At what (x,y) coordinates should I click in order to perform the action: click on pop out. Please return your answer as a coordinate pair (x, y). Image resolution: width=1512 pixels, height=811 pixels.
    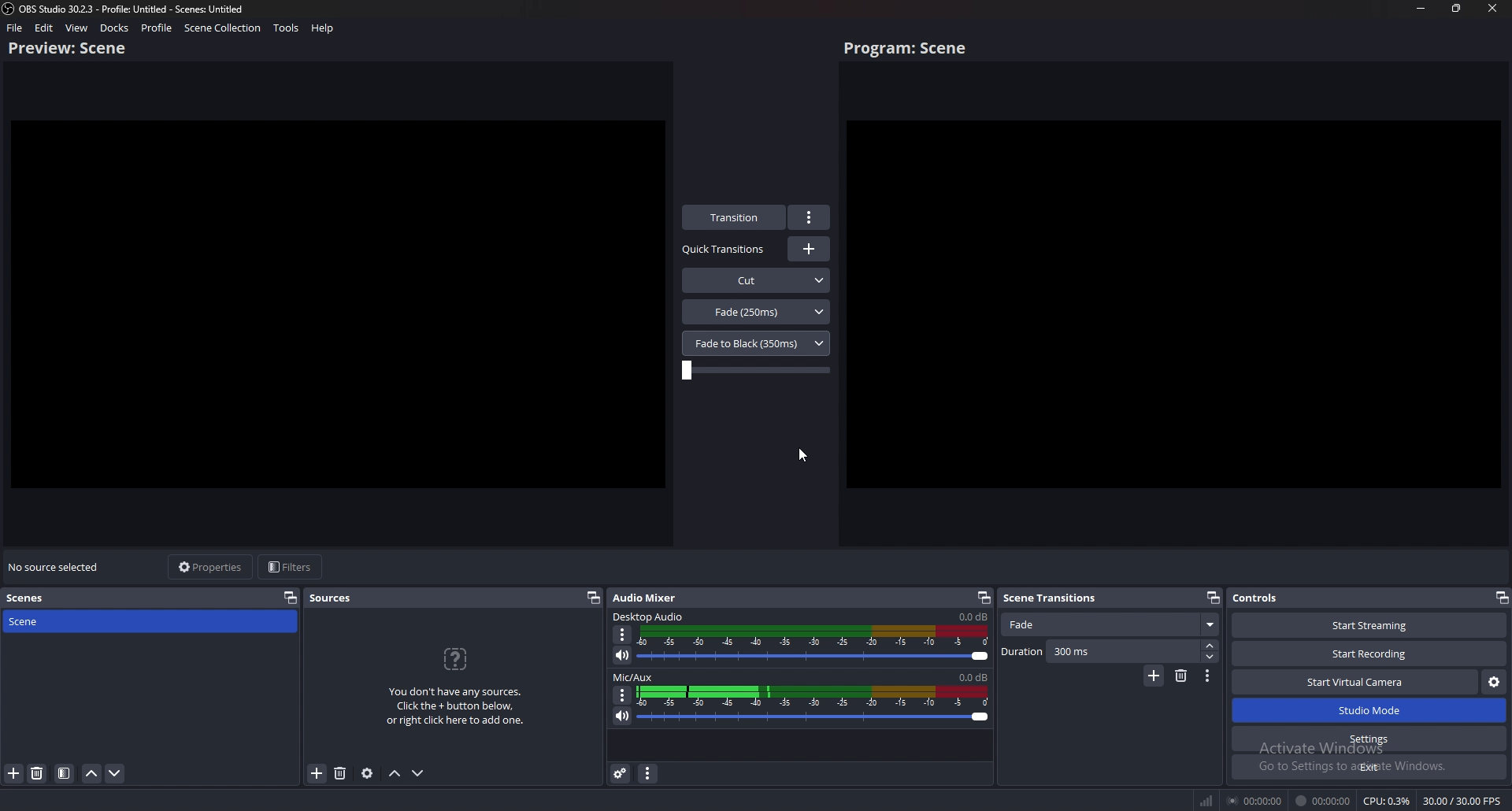
    Looking at the image, I should click on (1500, 597).